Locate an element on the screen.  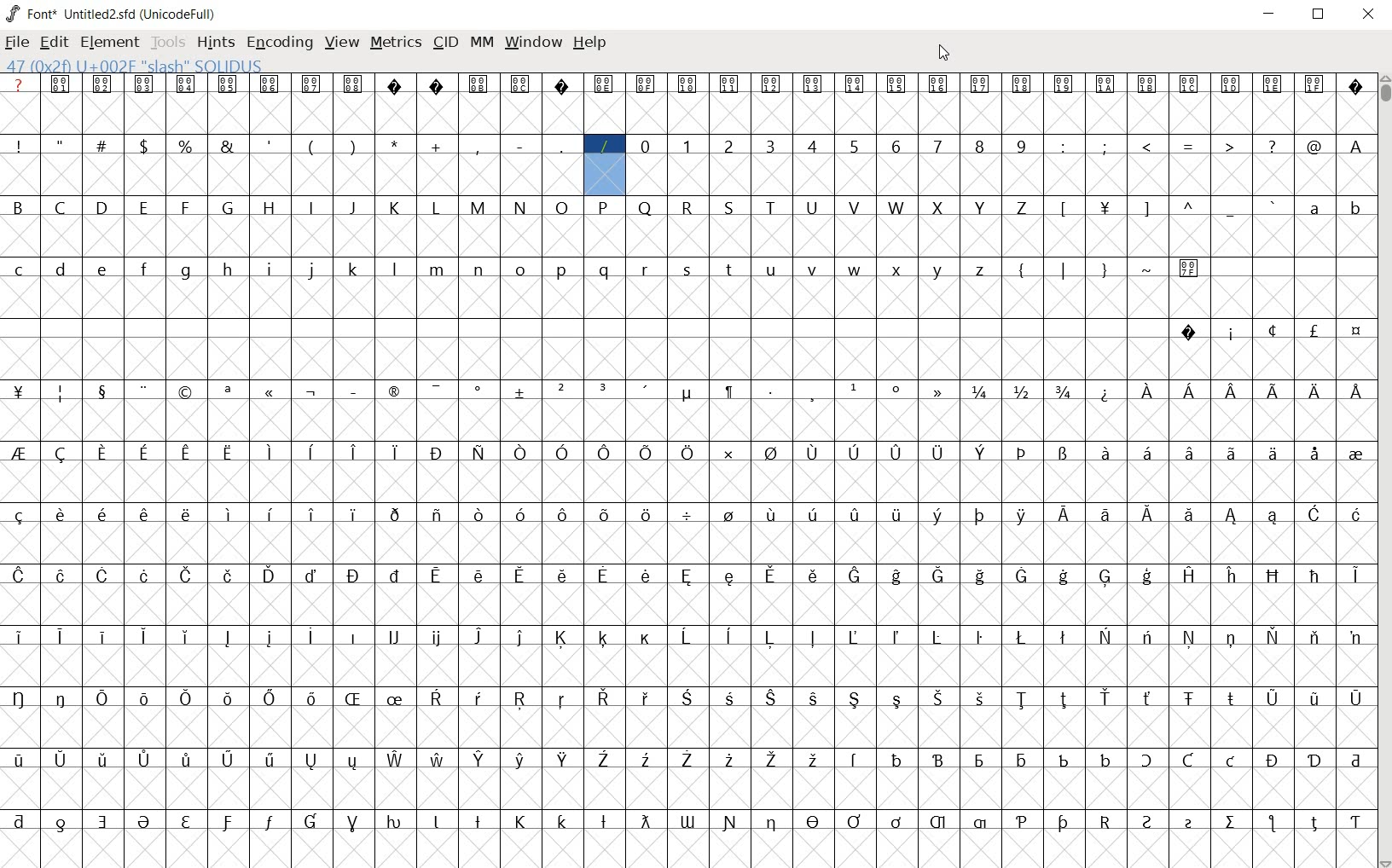
glyph is located at coordinates (103, 822).